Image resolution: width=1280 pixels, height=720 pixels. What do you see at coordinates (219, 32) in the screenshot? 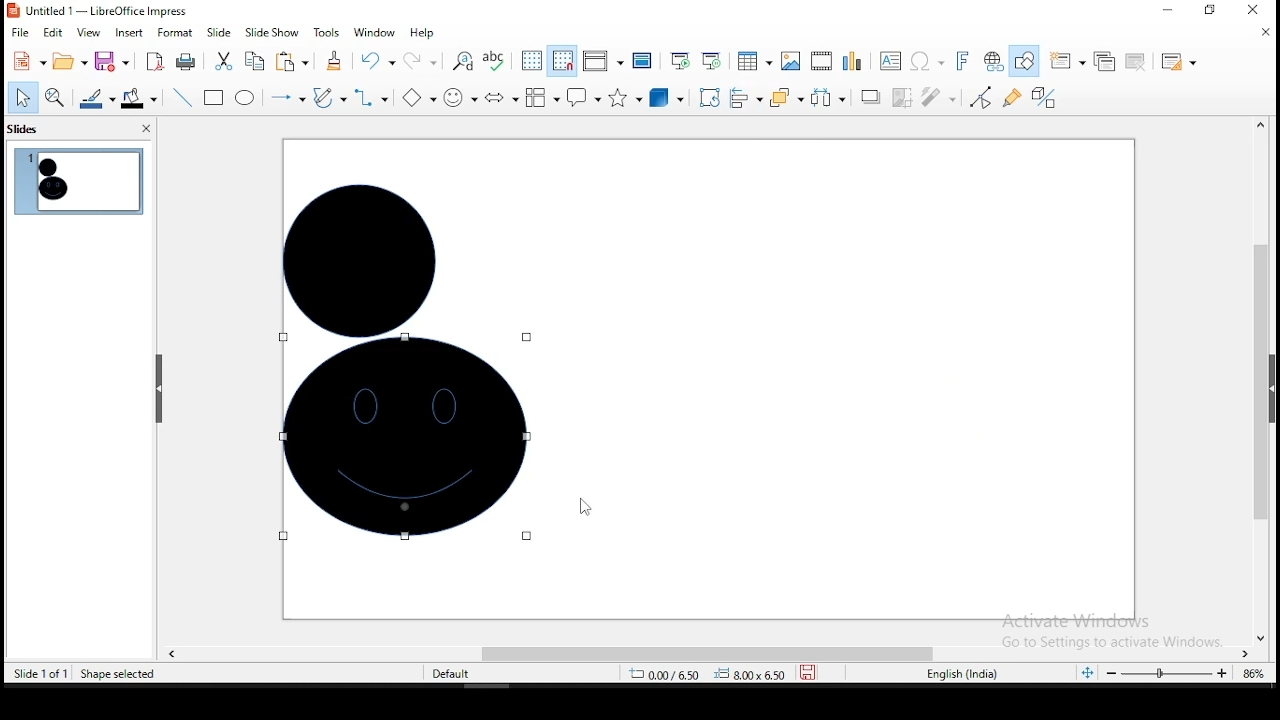
I see `slide` at bounding box center [219, 32].